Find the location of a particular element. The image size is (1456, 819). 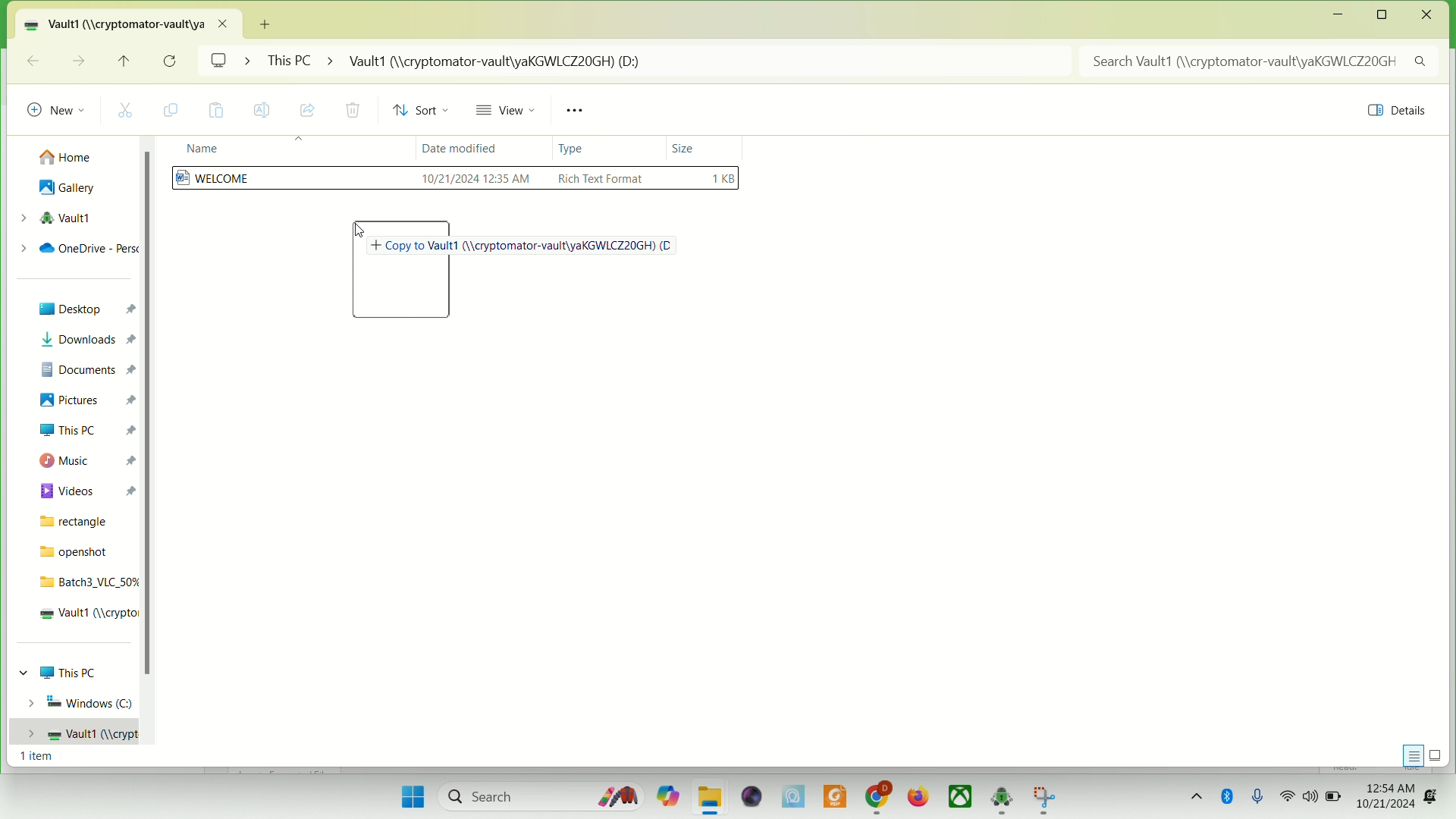

view is located at coordinates (510, 113).